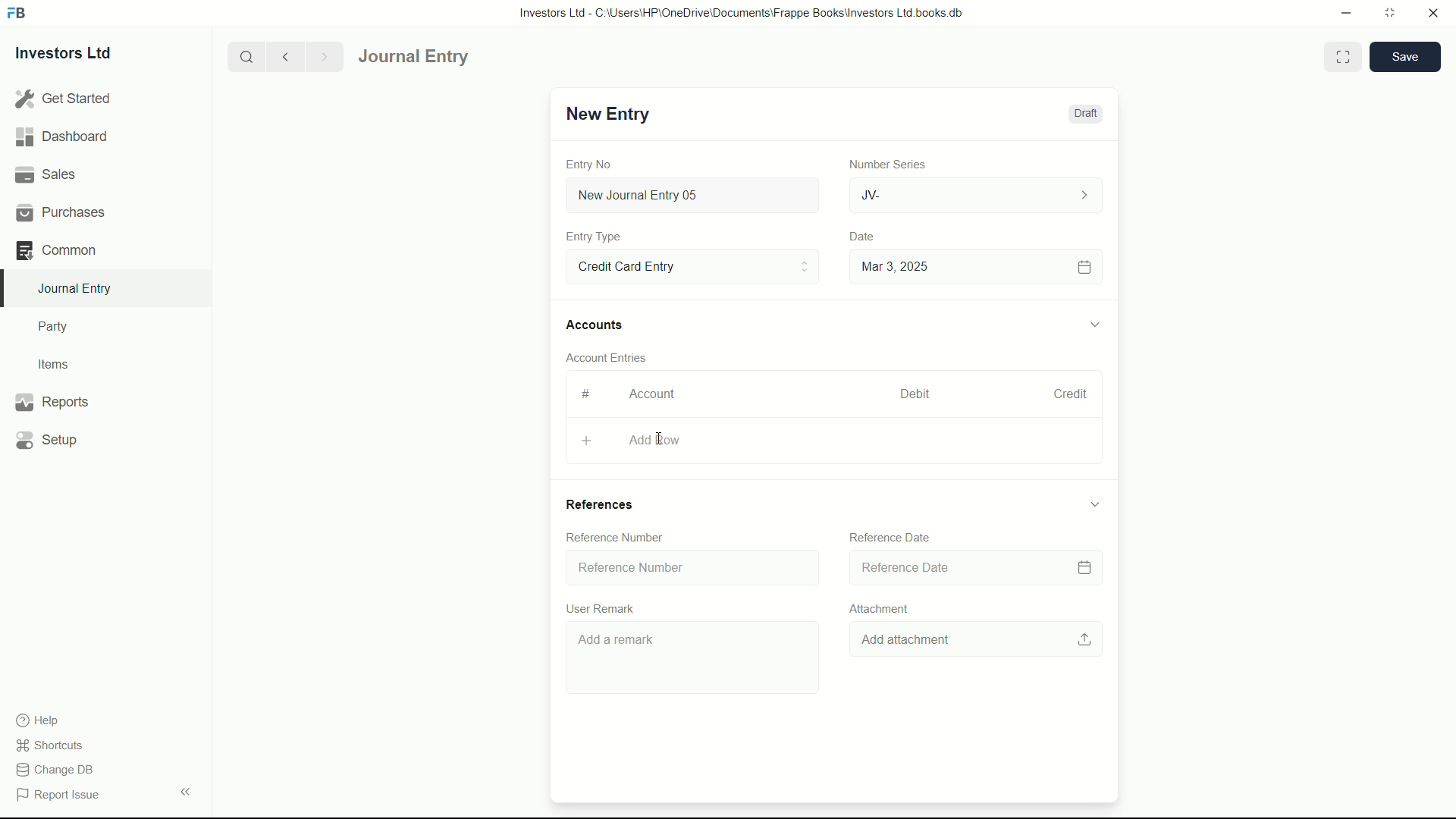  Describe the element at coordinates (185, 790) in the screenshot. I see `expand/collapse` at that location.